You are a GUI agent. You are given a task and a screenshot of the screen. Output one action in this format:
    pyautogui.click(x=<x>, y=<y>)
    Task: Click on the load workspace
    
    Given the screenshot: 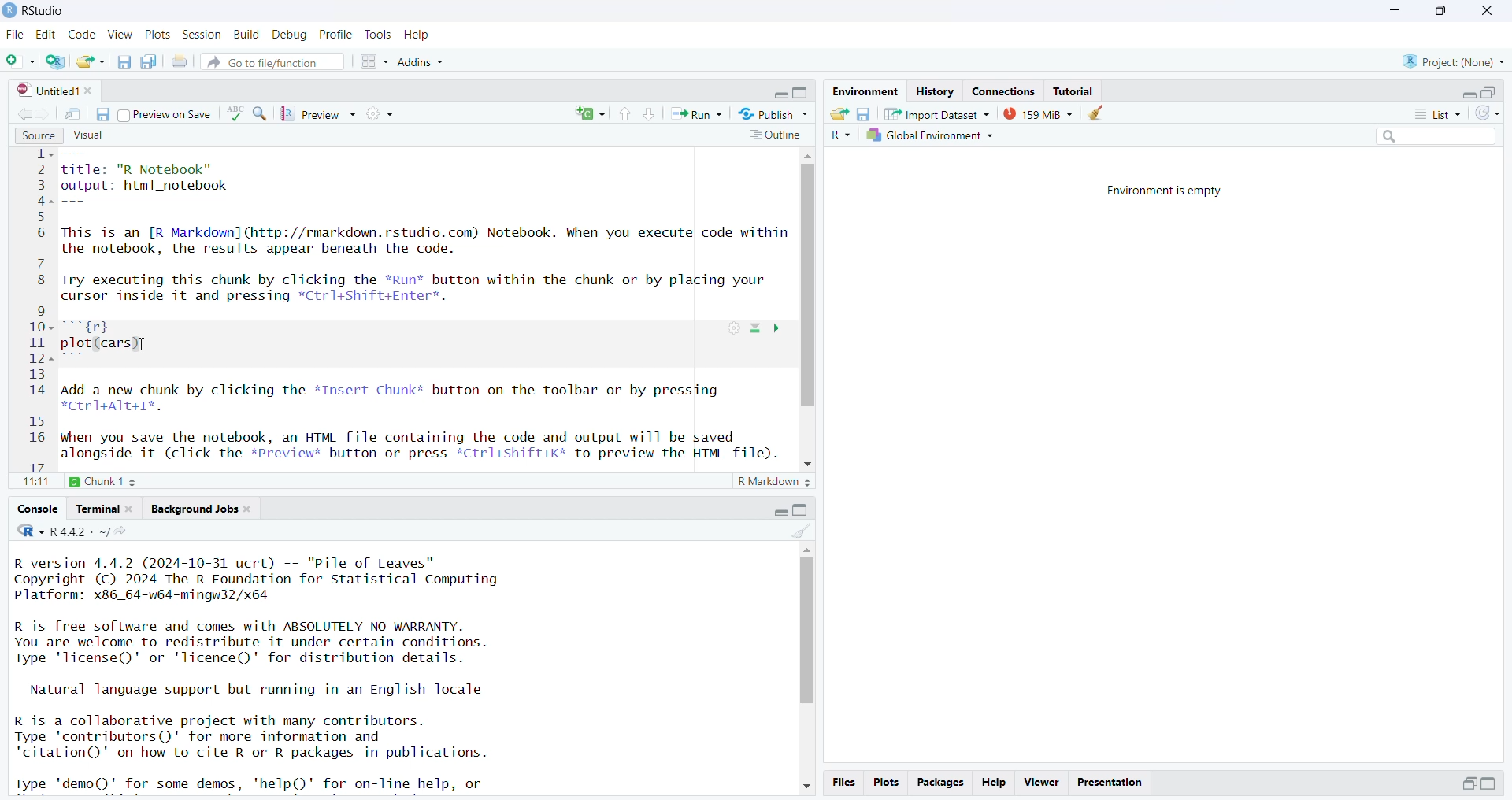 What is the action you would take?
    pyautogui.click(x=839, y=113)
    